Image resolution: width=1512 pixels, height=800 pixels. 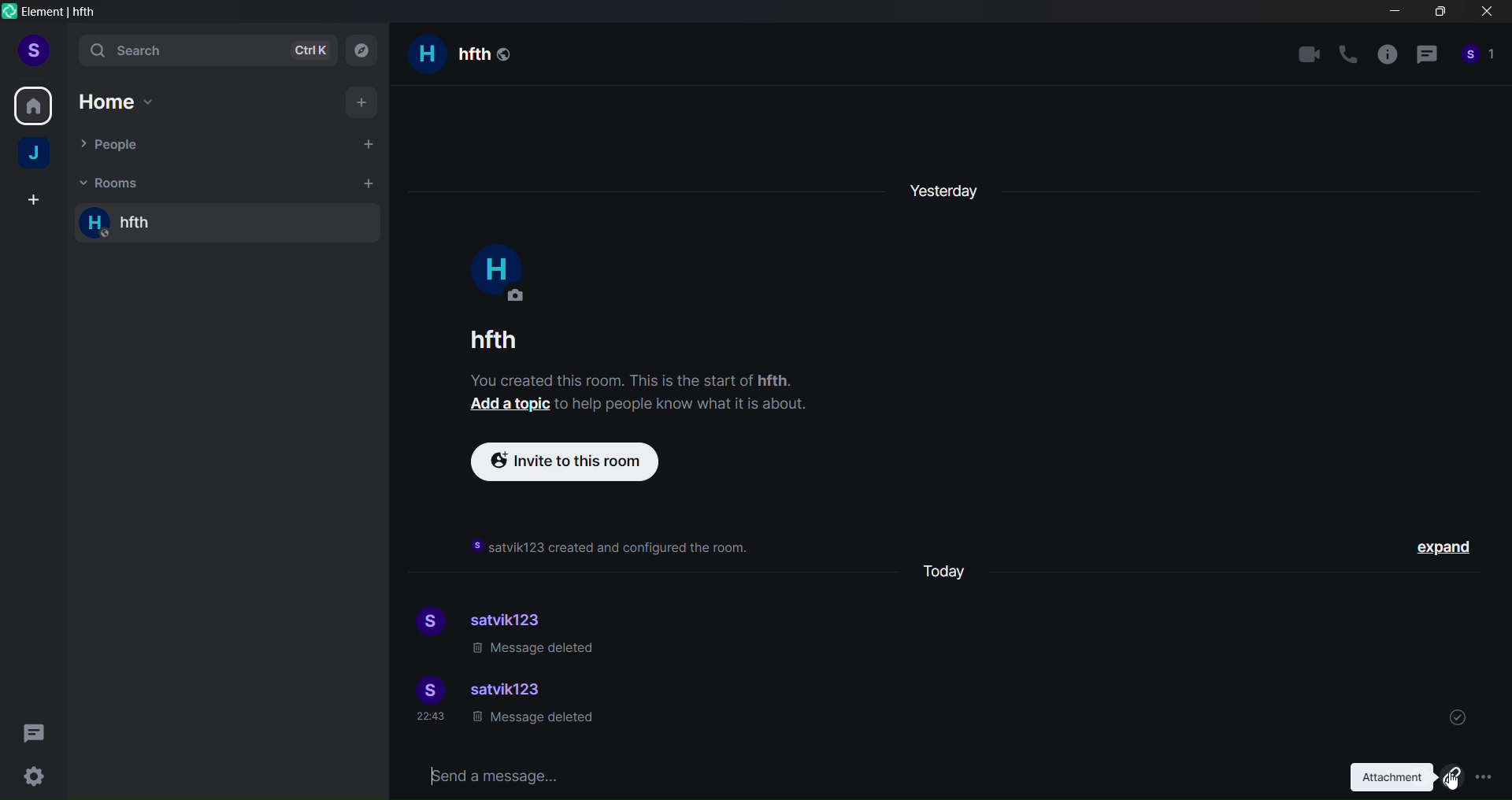 I want to click on text, so click(x=647, y=395).